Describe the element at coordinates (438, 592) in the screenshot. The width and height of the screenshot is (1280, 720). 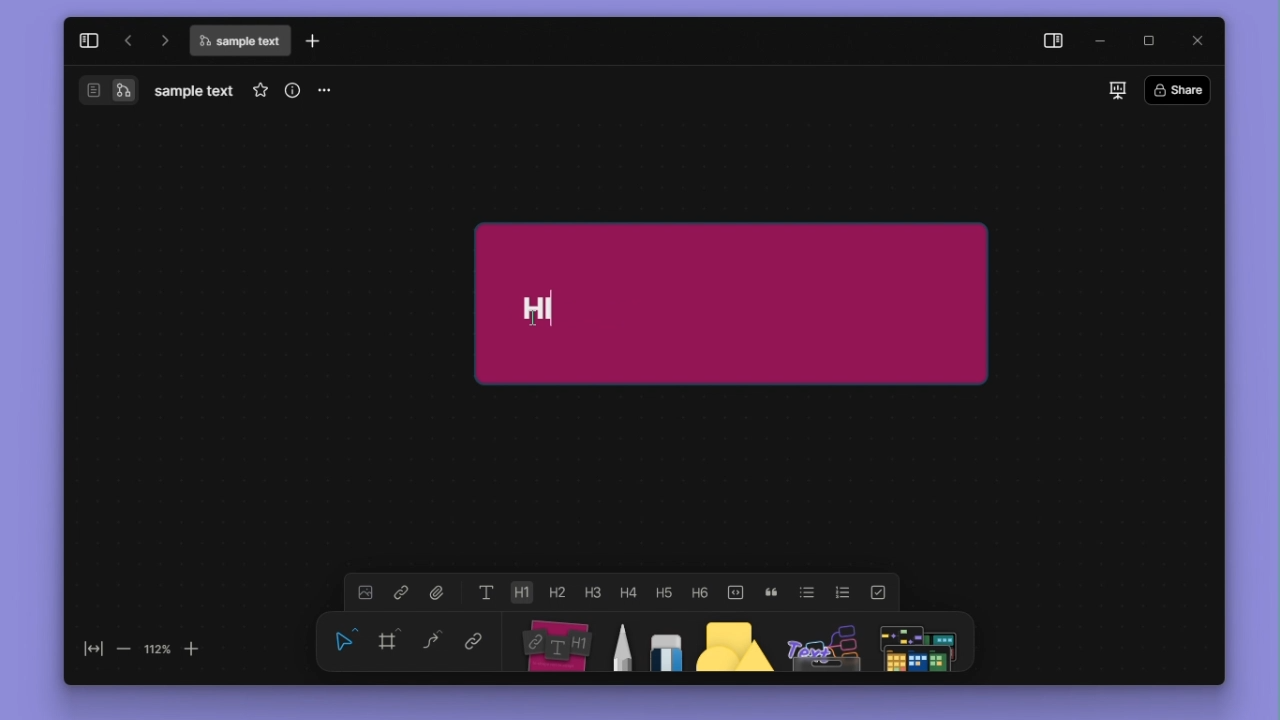
I see `file` at that location.